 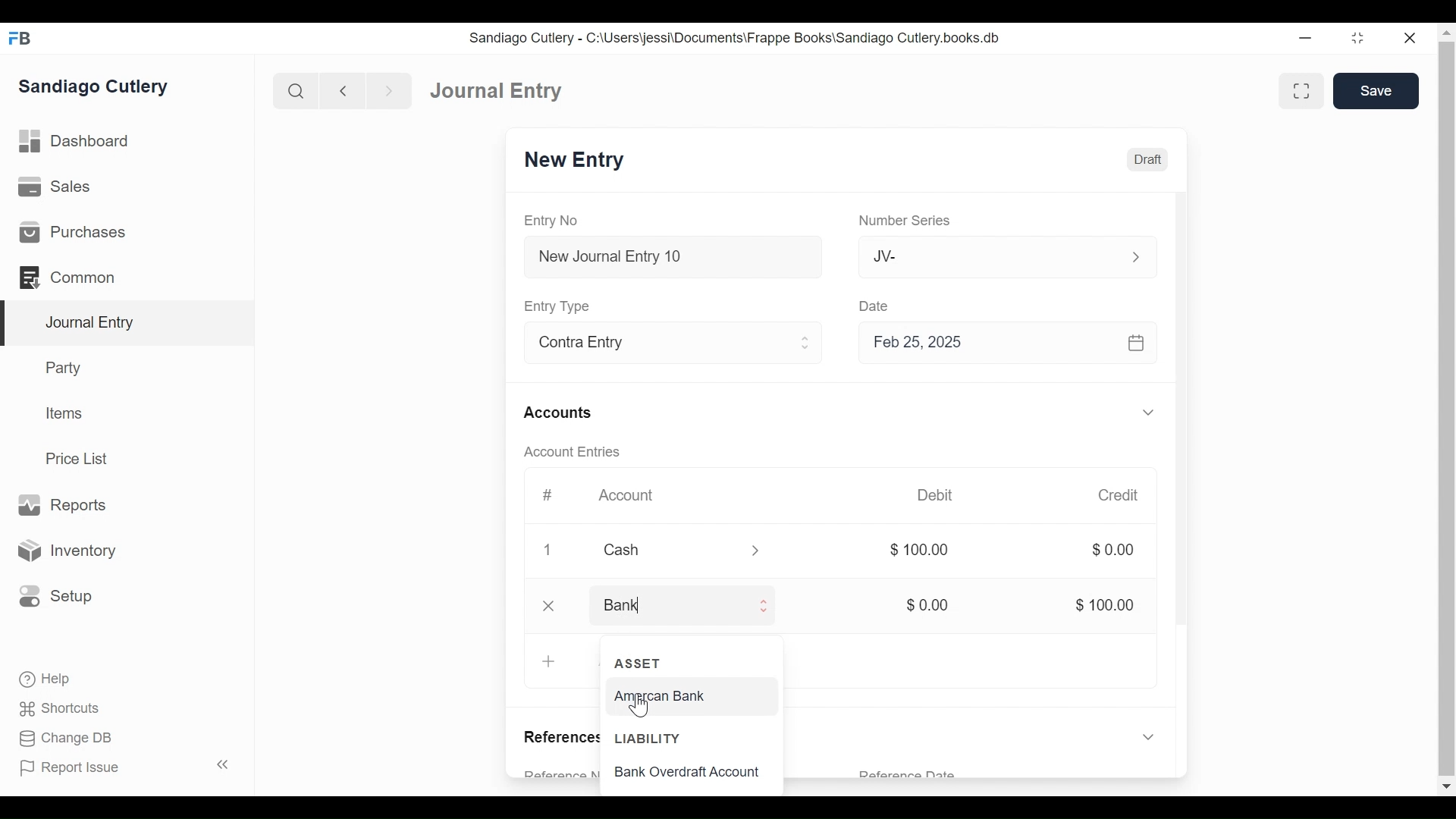 I want to click on Entry No, so click(x=554, y=219).